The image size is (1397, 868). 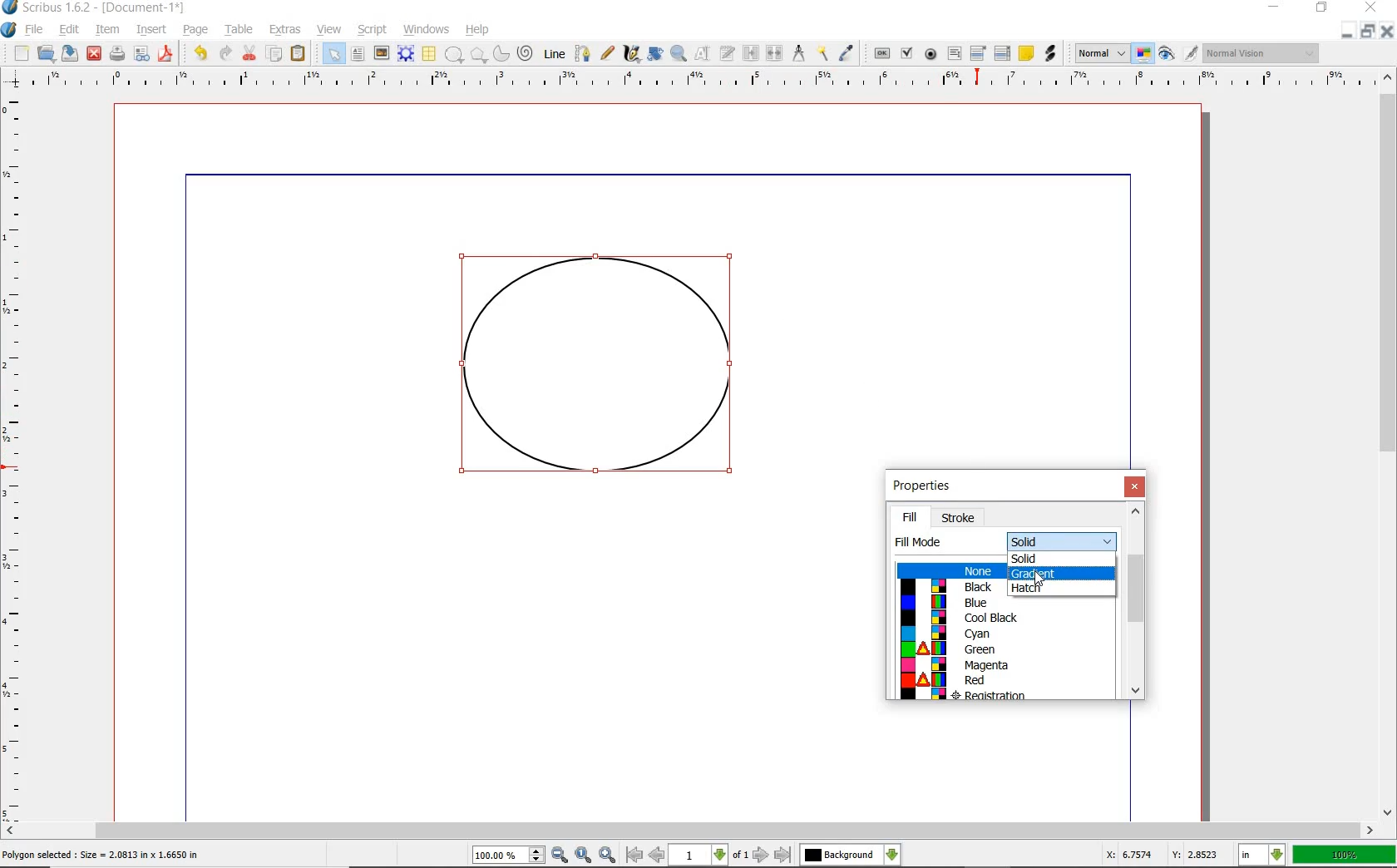 What do you see at coordinates (285, 30) in the screenshot?
I see `EXTRAS` at bounding box center [285, 30].